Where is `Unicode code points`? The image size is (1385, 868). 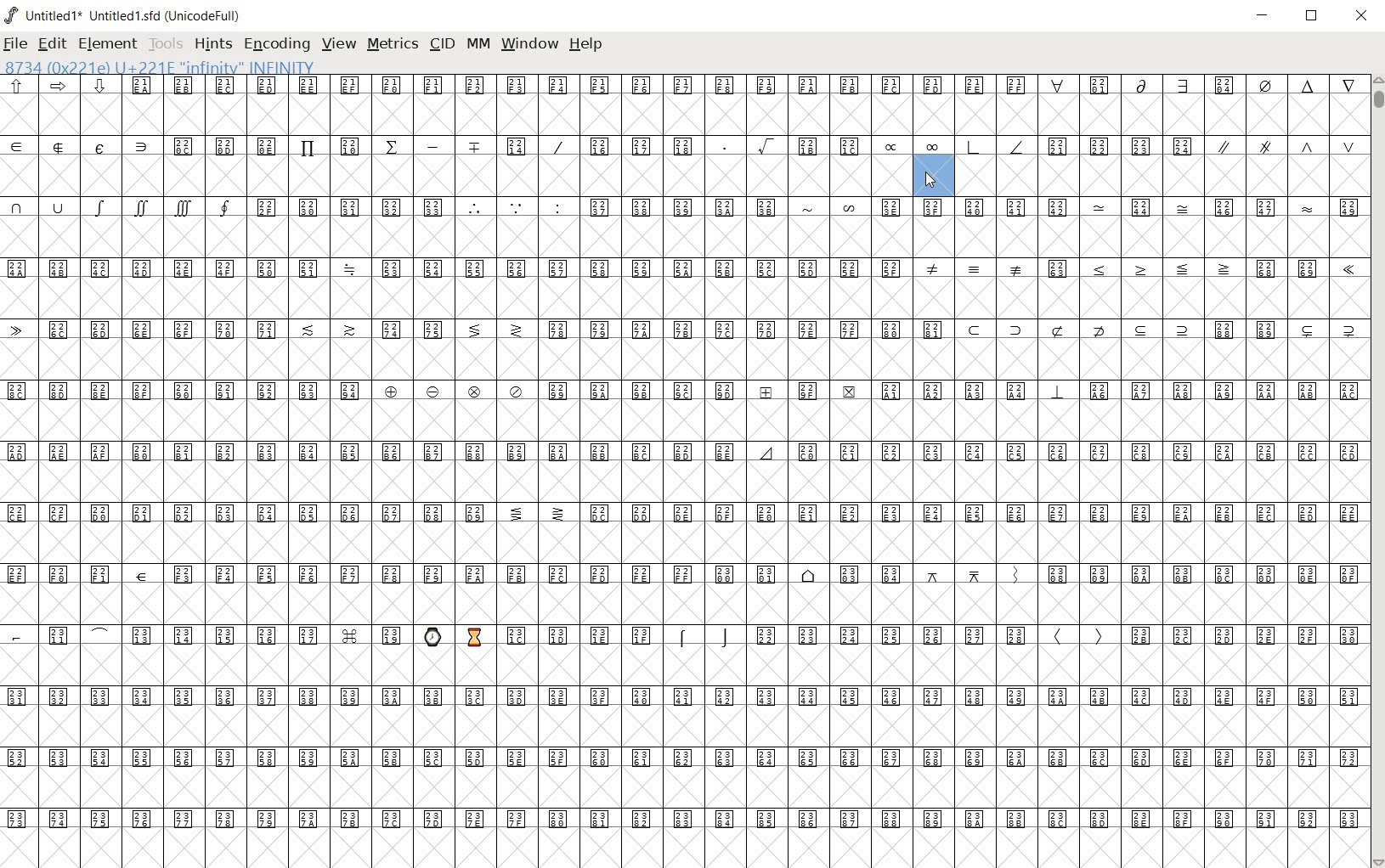
Unicode code points is located at coordinates (212, 634).